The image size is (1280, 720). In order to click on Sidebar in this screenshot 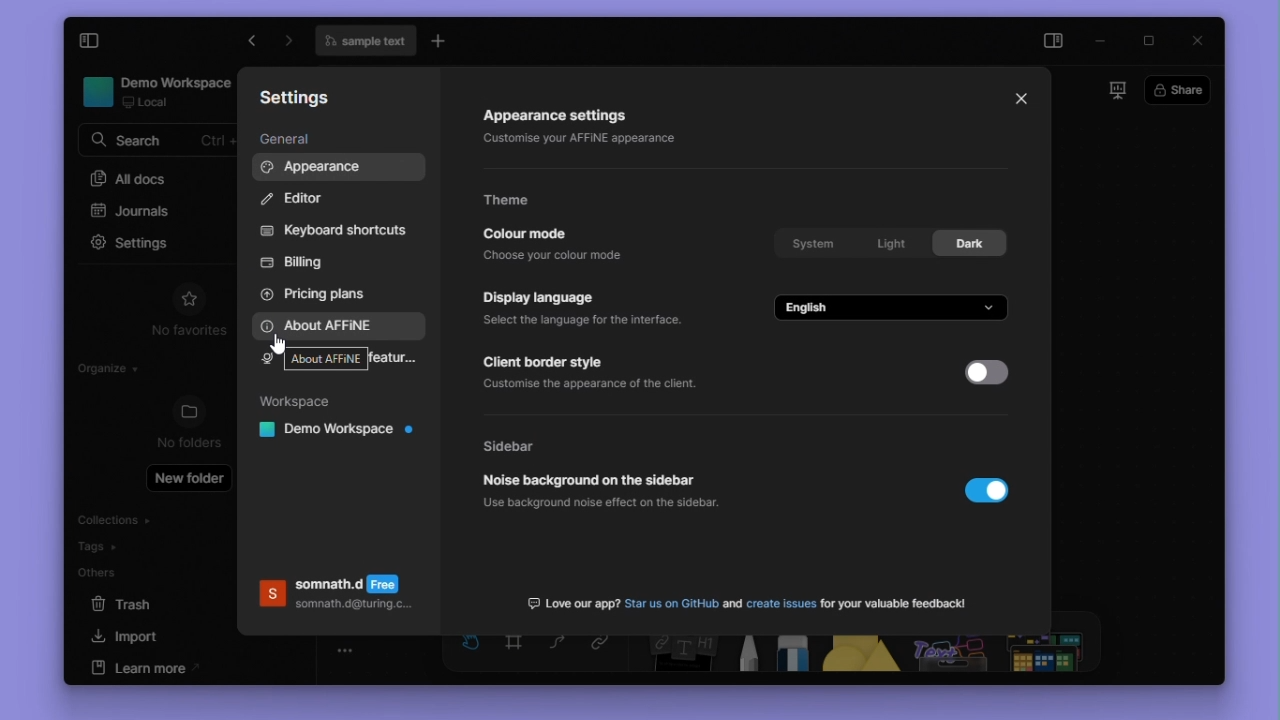, I will do `click(539, 444)`.